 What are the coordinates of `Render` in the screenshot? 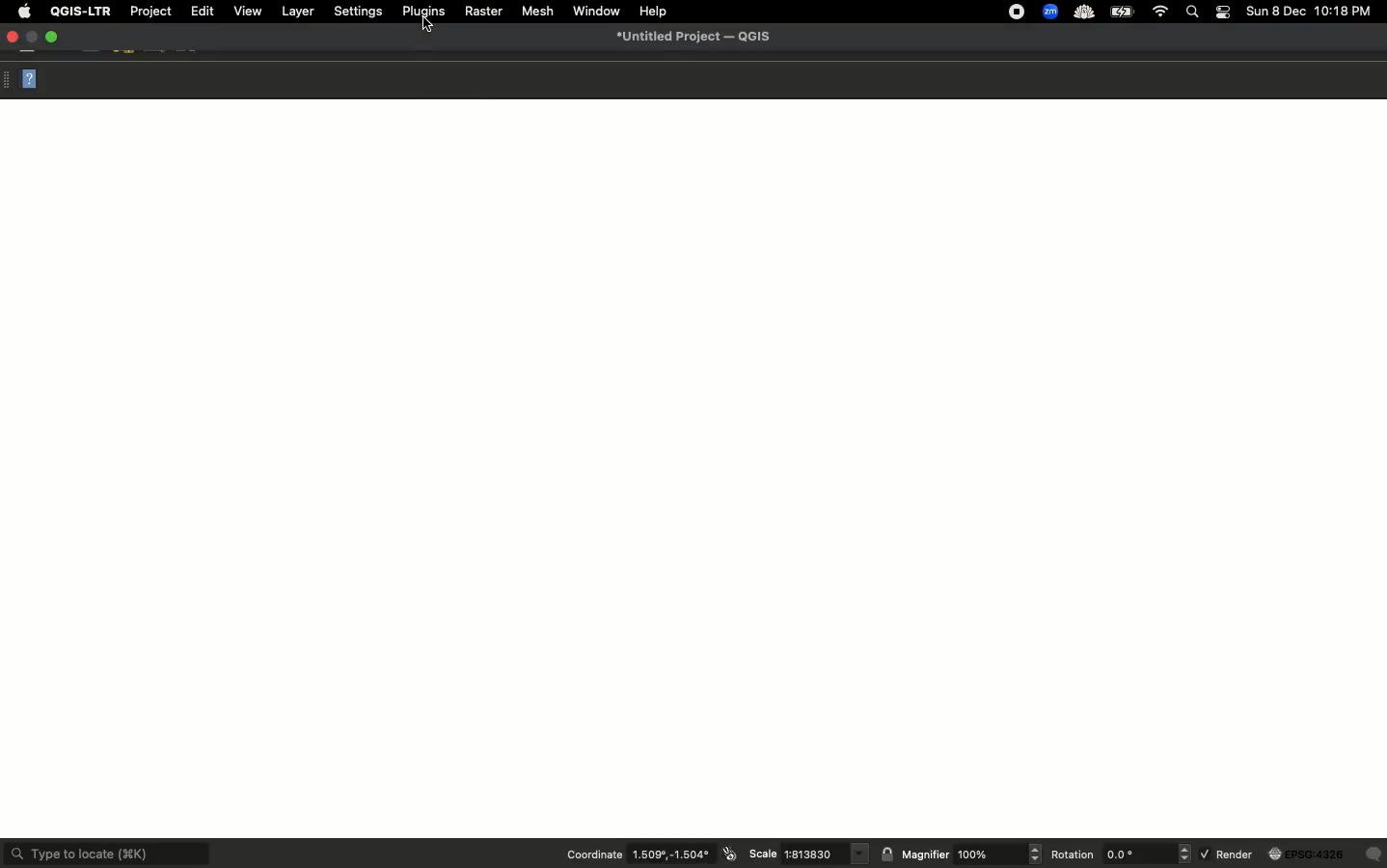 It's located at (1292, 856).